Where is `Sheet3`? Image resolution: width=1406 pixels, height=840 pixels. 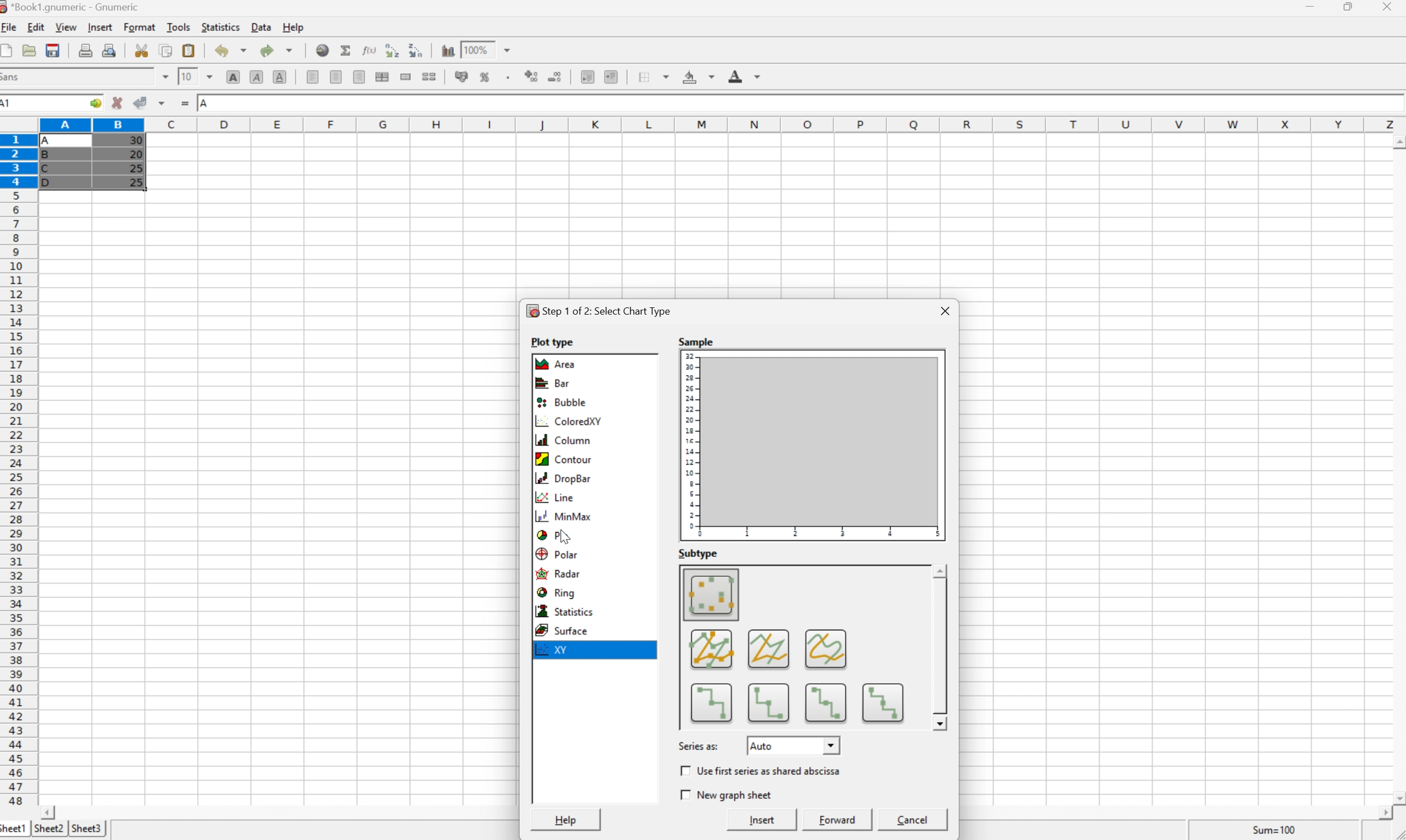
Sheet3 is located at coordinates (88, 827).